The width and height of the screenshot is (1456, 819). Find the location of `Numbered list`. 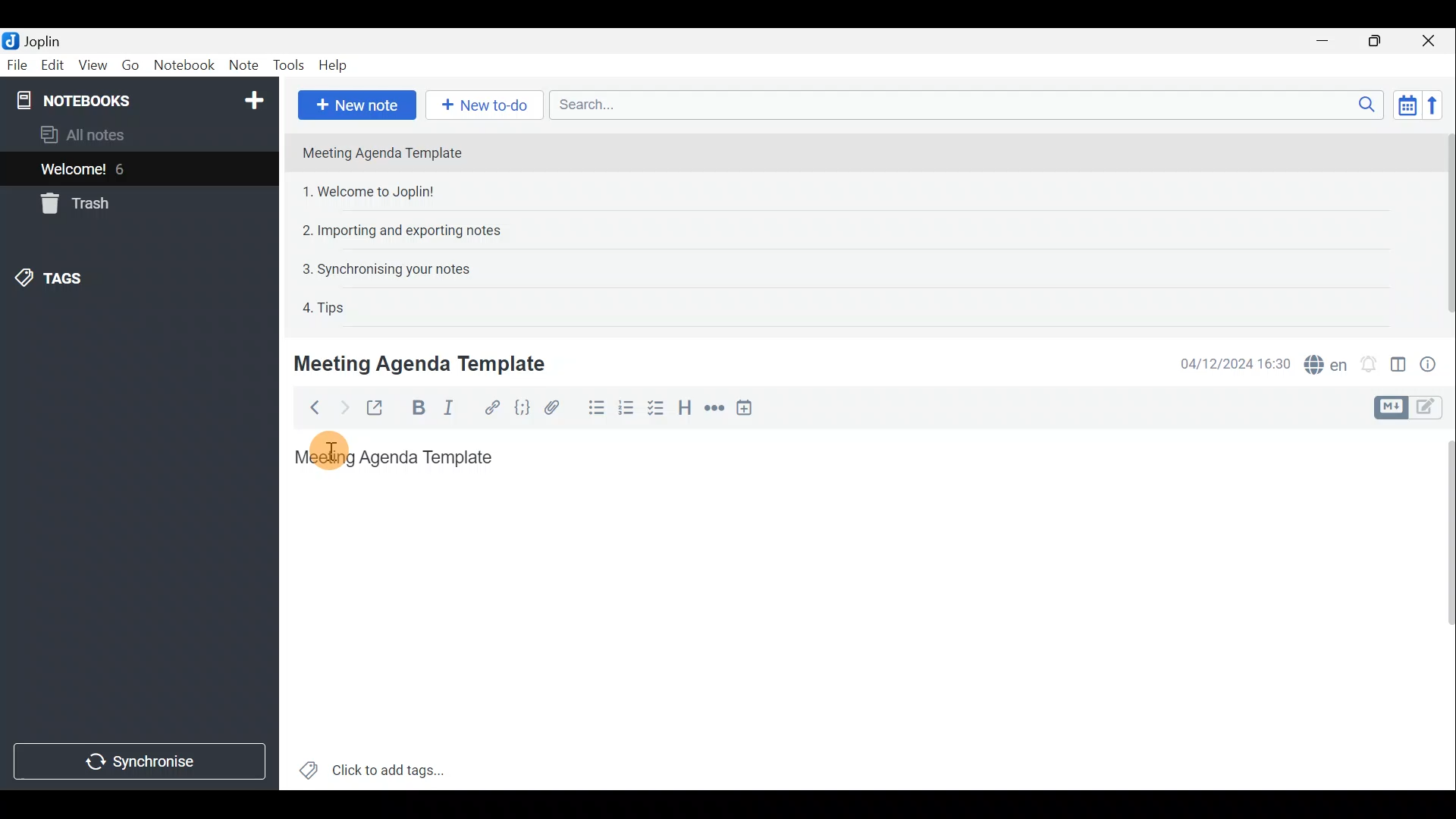

Numbered list is located at coordinates (626, 410).